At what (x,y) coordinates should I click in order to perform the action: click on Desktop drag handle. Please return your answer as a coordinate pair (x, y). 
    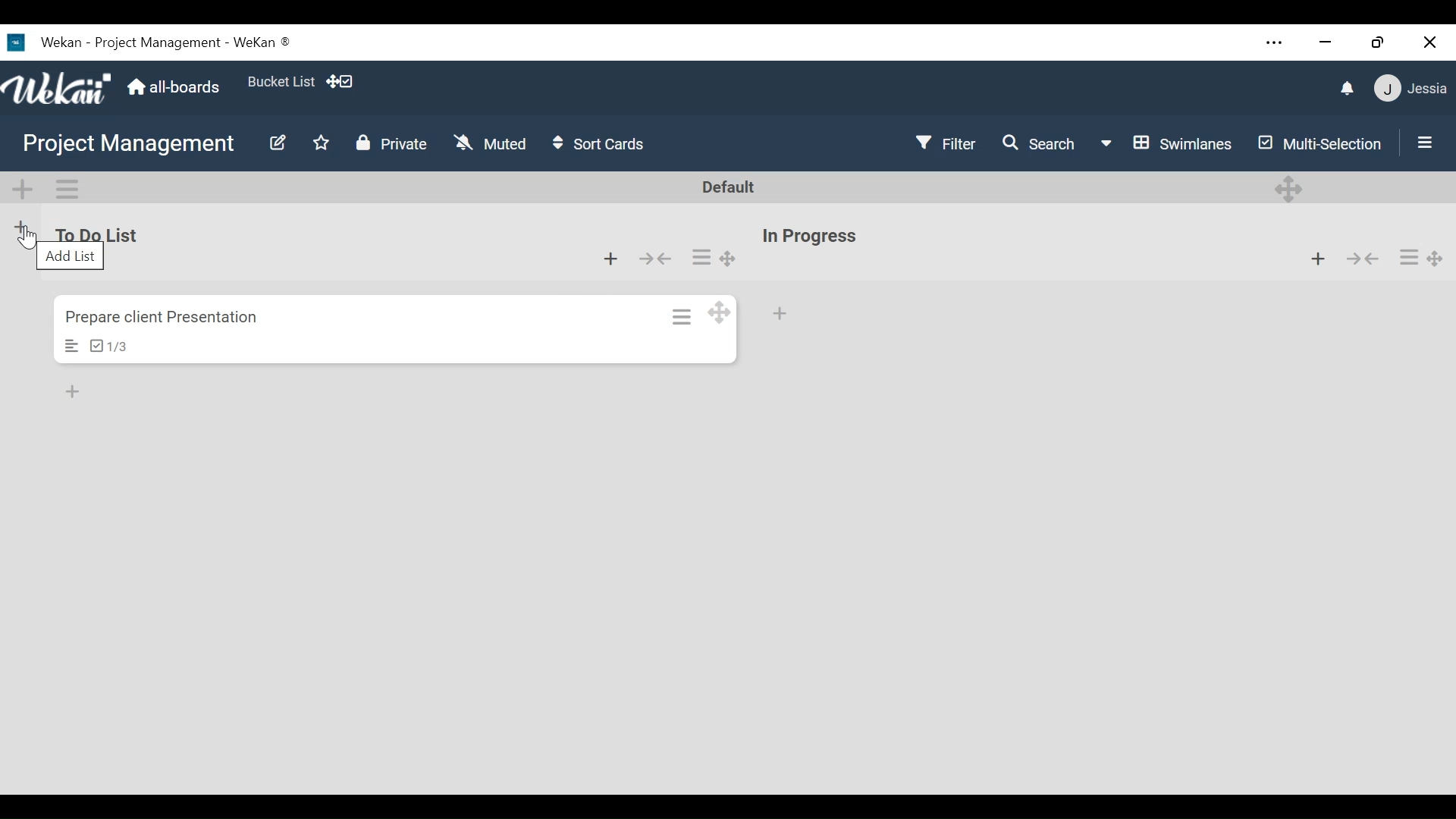
    Looking at the image, I should click on (1436, 257).